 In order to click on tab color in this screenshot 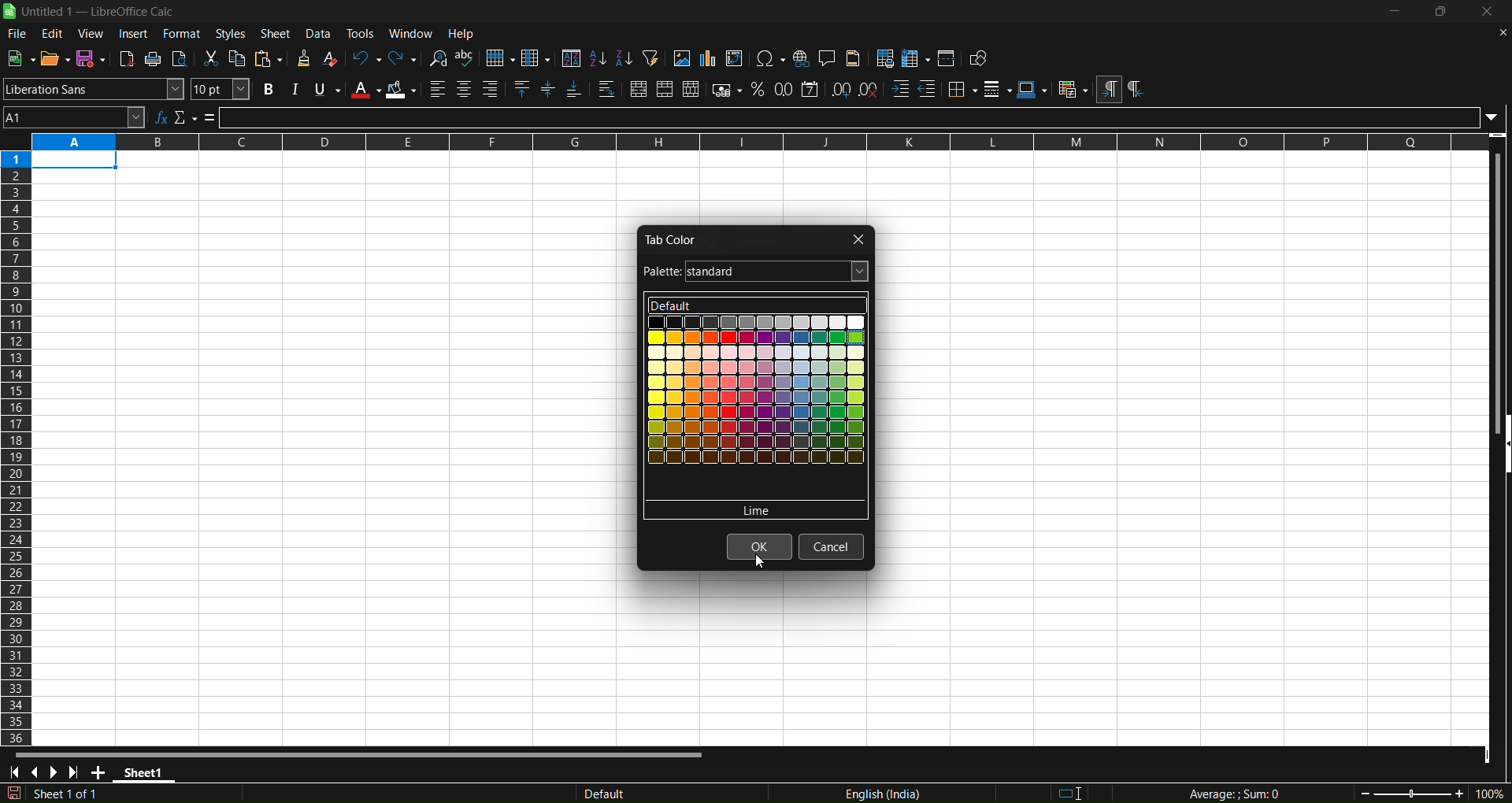, I will do `click(673, 239)`.